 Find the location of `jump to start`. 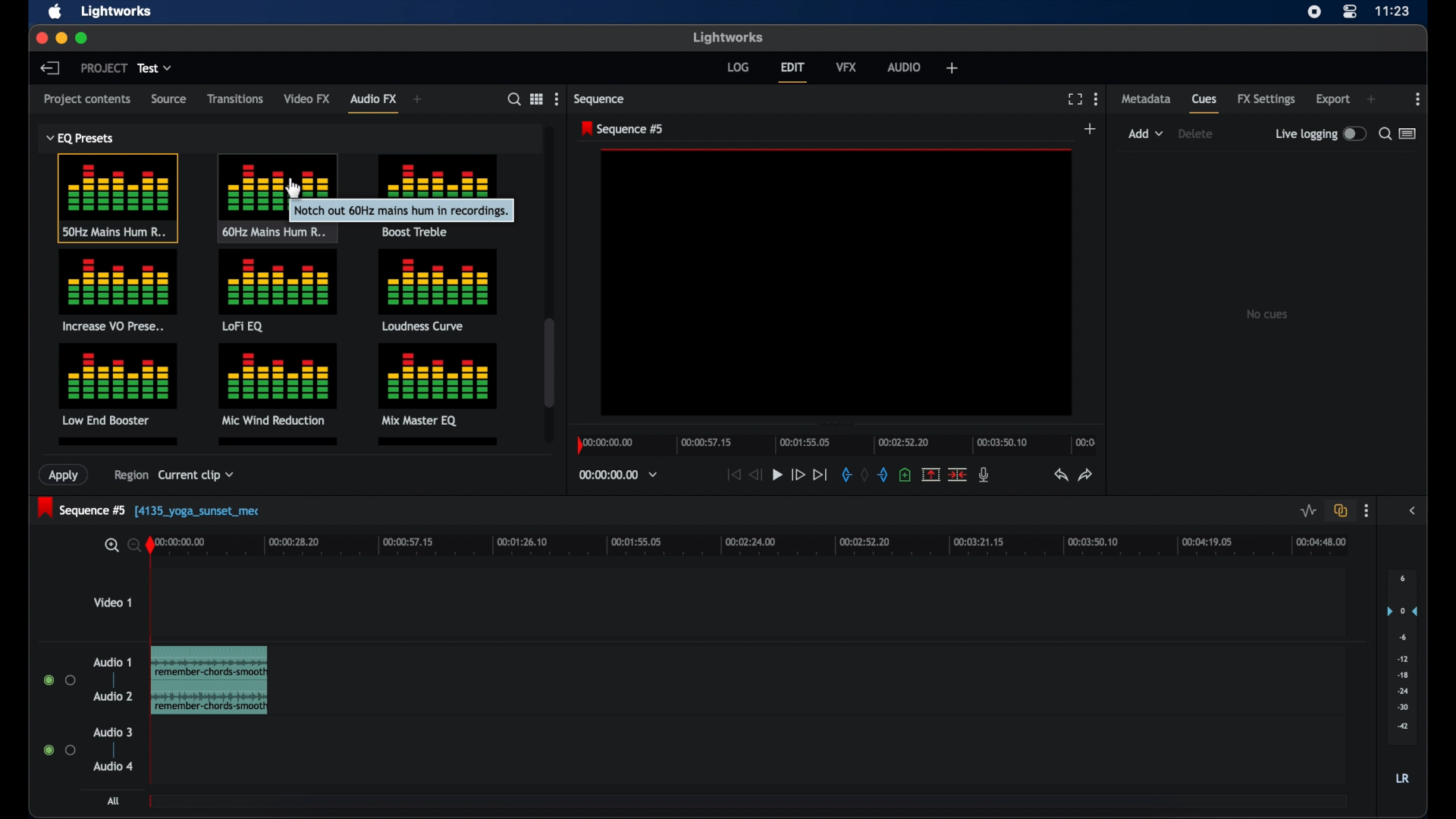

jump to start is located at coordinates (733, 475).